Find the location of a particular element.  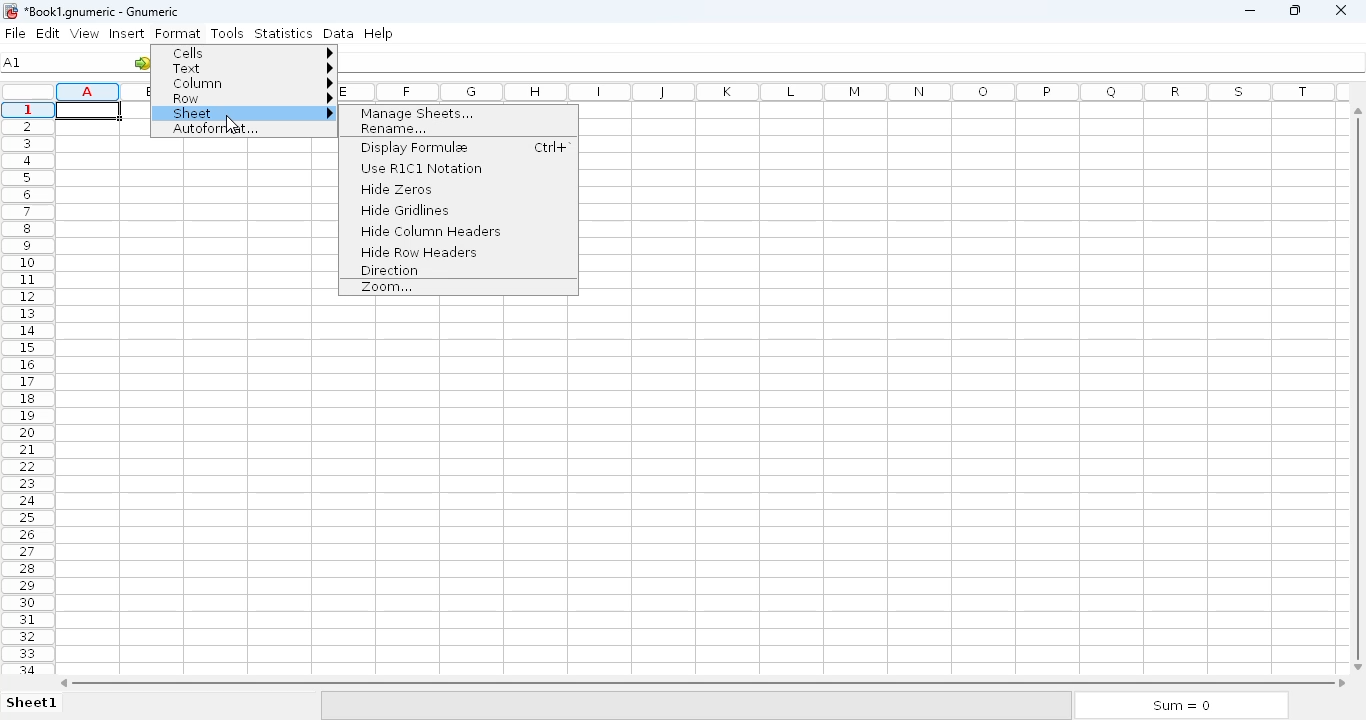

direction is located at coordinates (388, 270).